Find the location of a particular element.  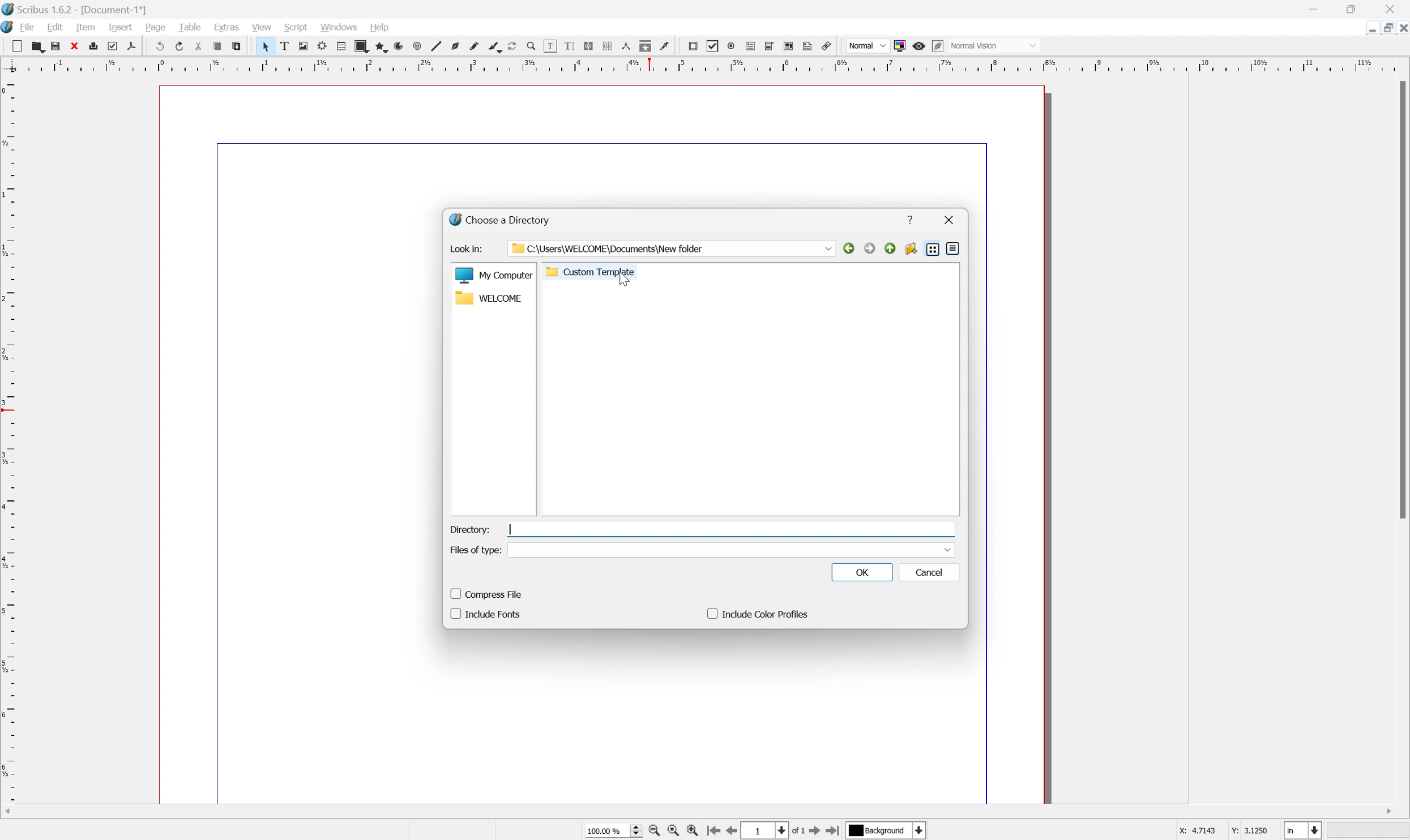

Typing cursor is located at coordinates (514, 529).